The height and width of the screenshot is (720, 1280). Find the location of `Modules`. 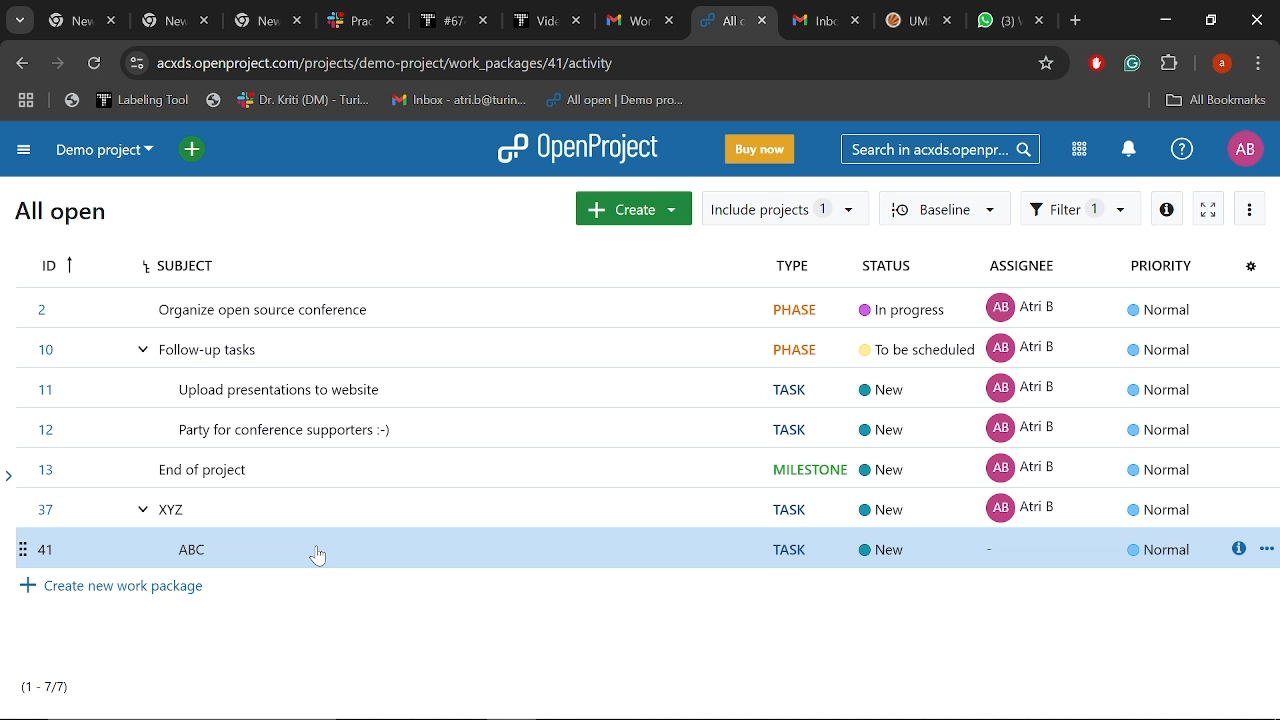

Modules is located at coordinates (1076, 148).